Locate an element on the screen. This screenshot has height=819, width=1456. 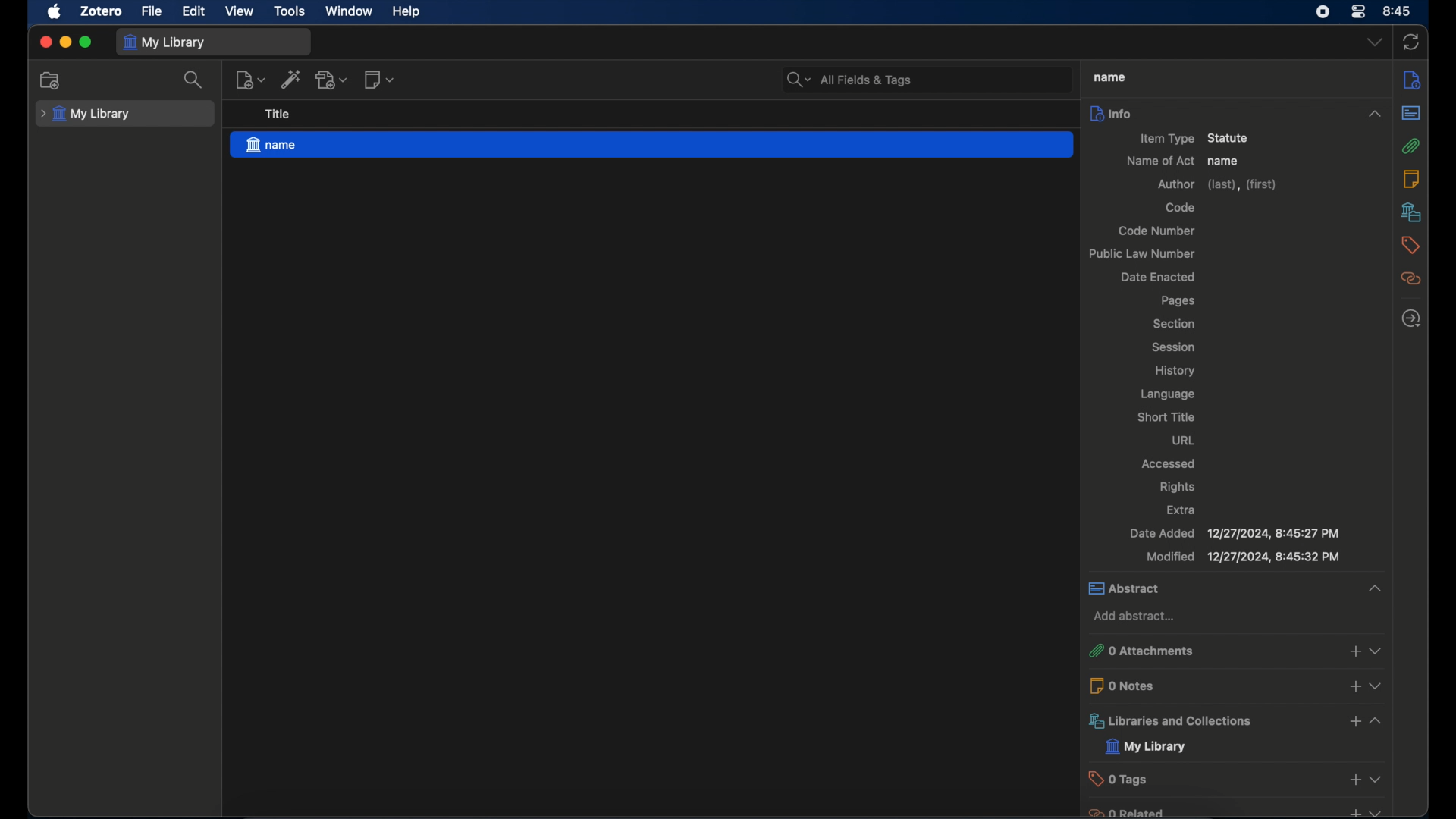
add item by identifier is located at coordinates (292, 81).